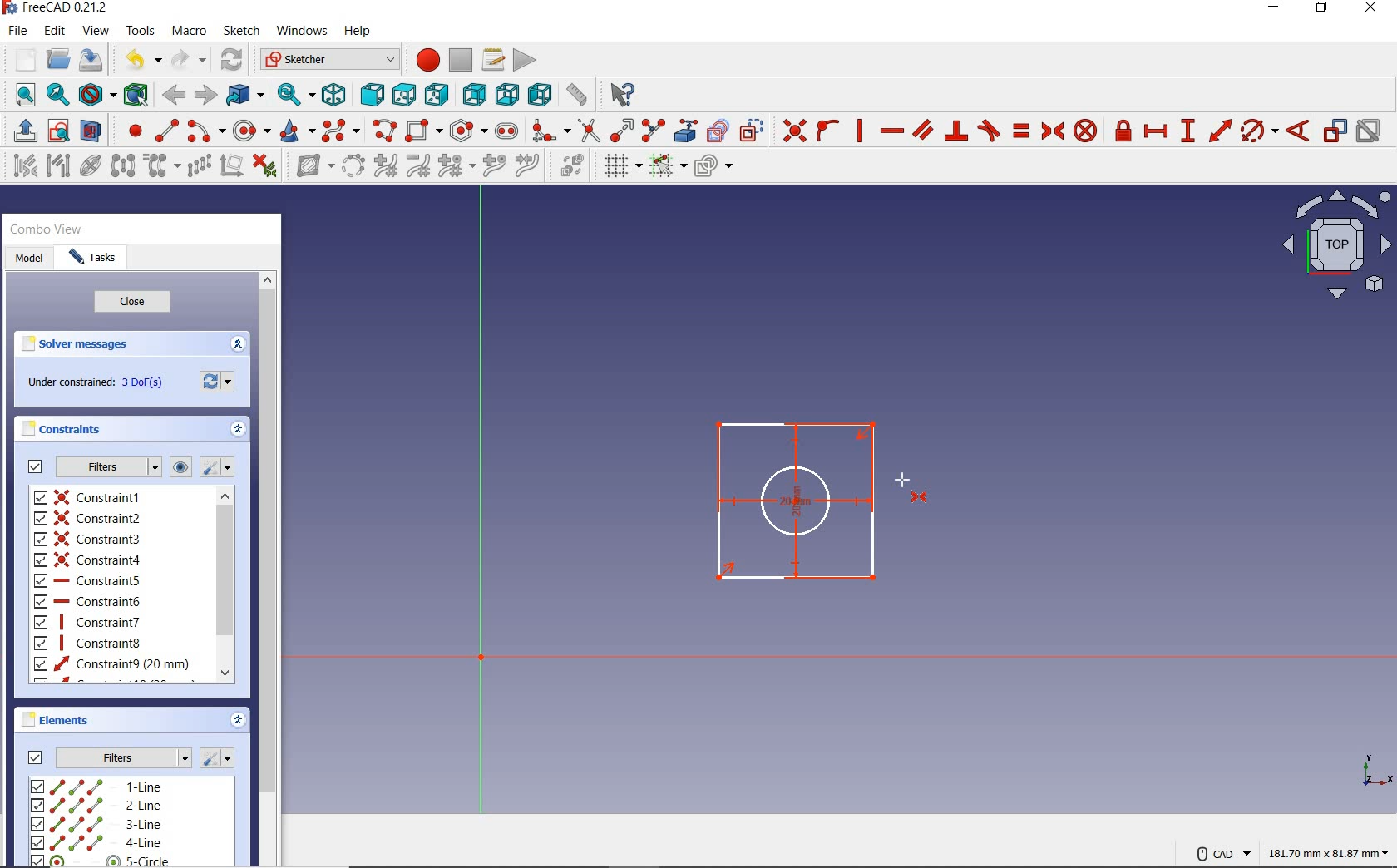  I want to click on bounding box, so click(135, 95).